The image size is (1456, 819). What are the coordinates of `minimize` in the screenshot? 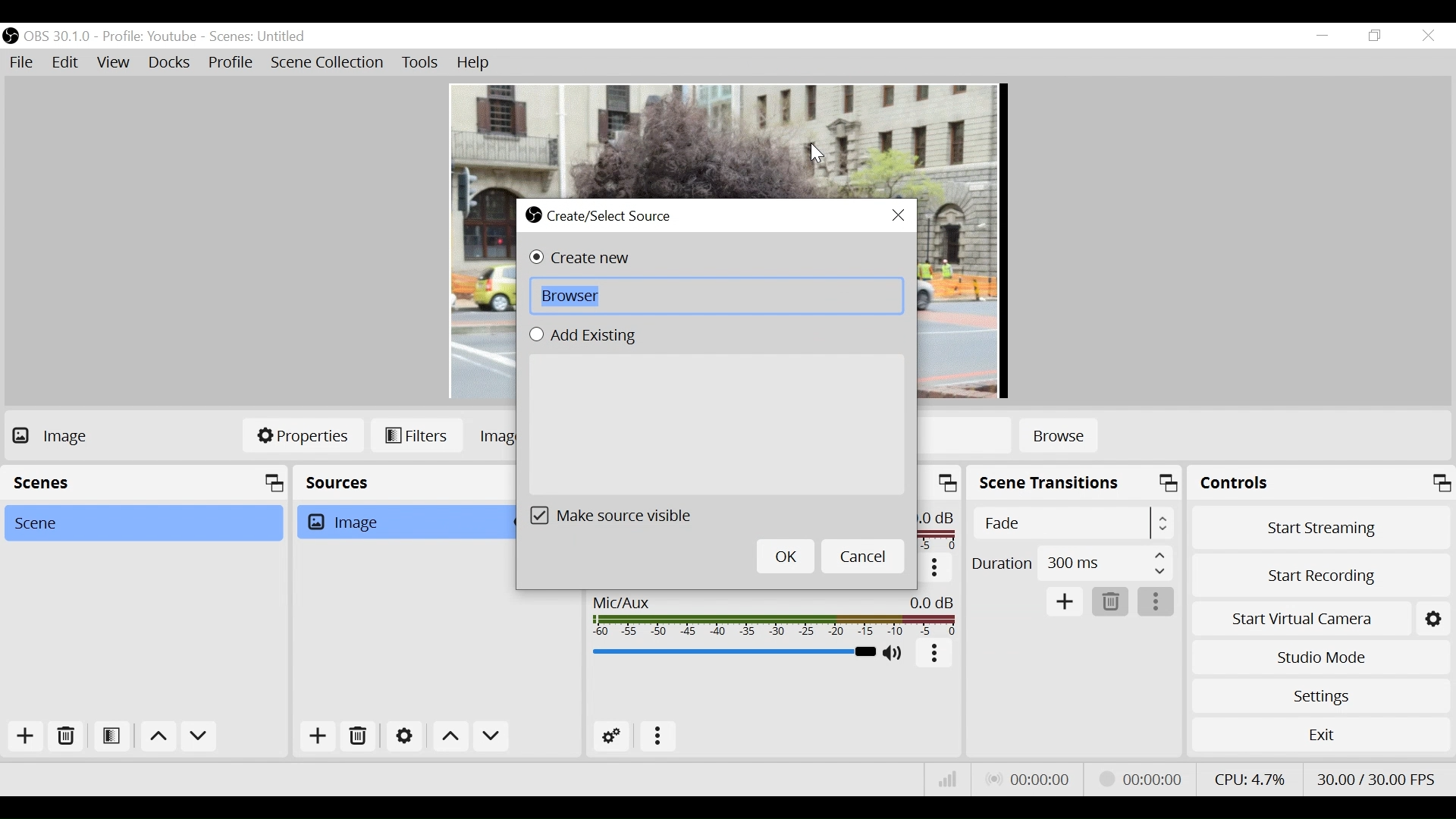 It's located at (1322, 36).